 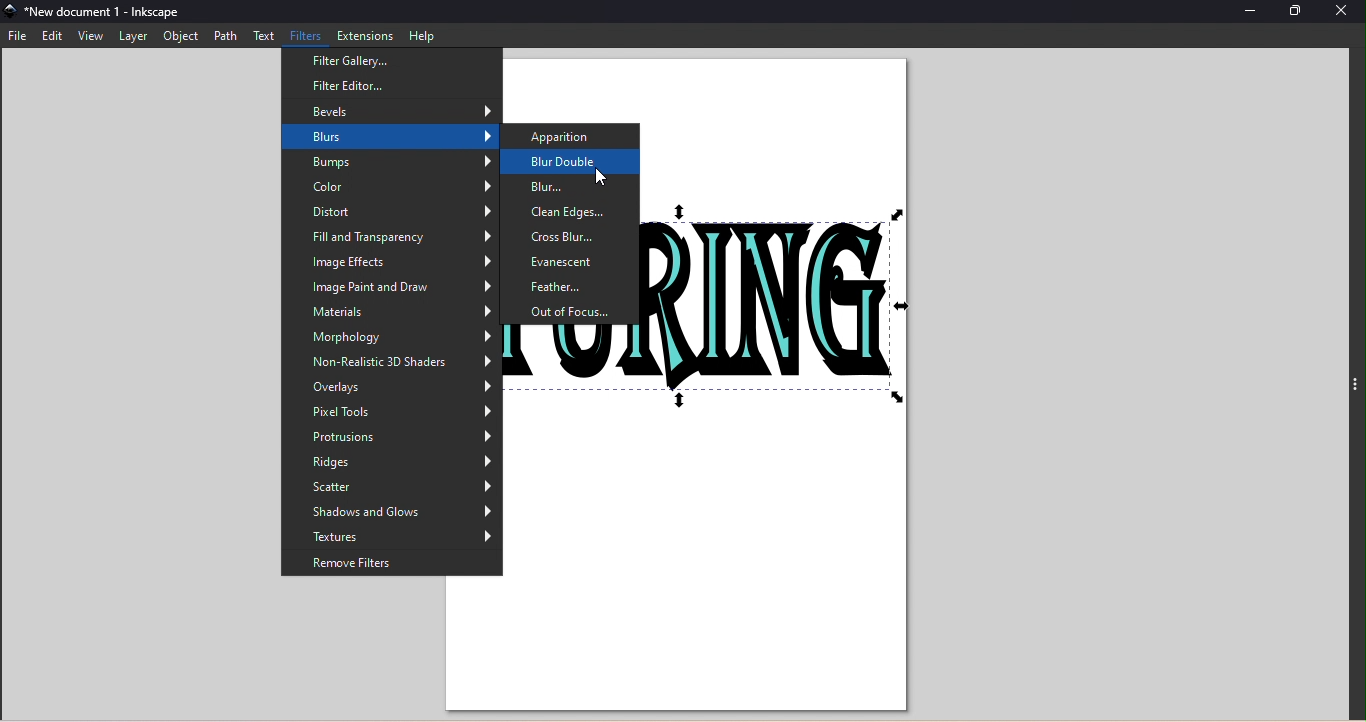 What do you see at coordinates (390, 163) in the screenshot?
I see `Bumps` at bounding box center [390, 163].